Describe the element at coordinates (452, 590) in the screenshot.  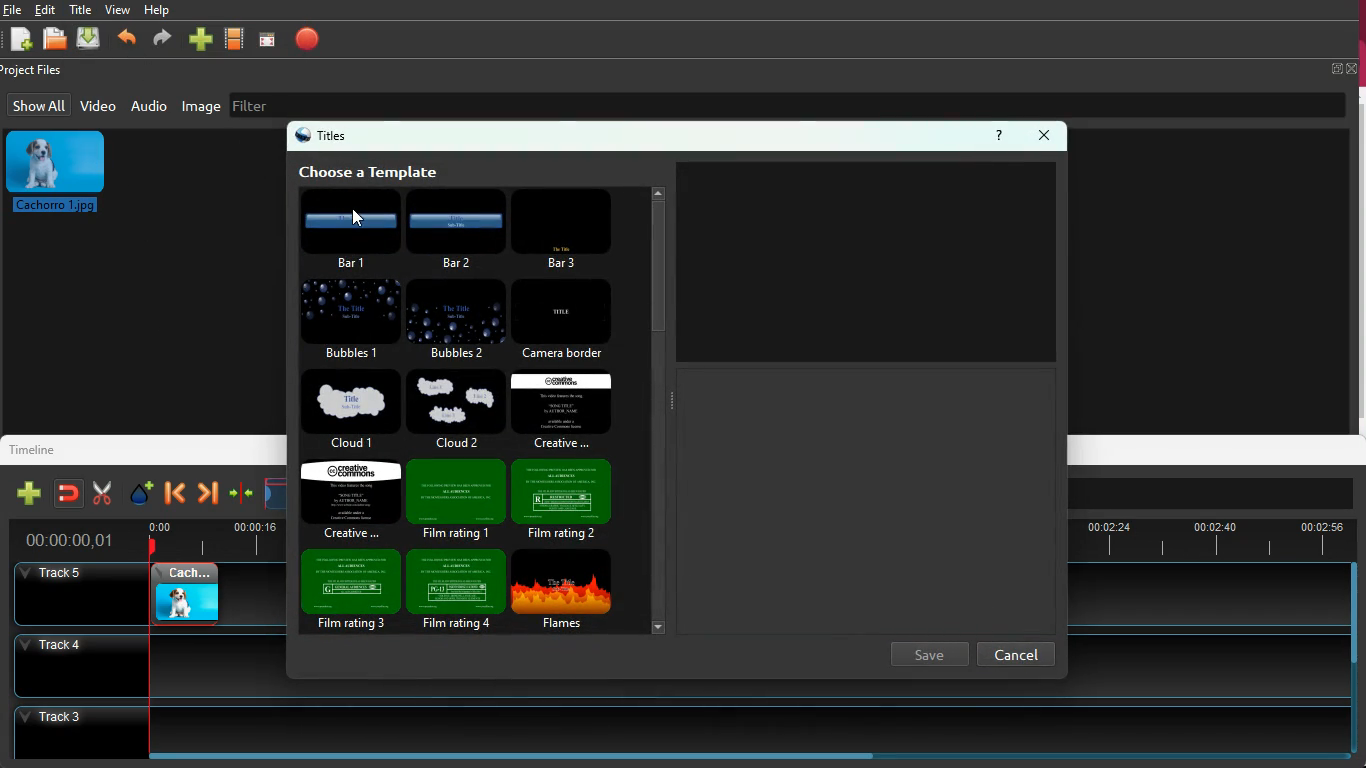
I see `film rating 4` at that location.